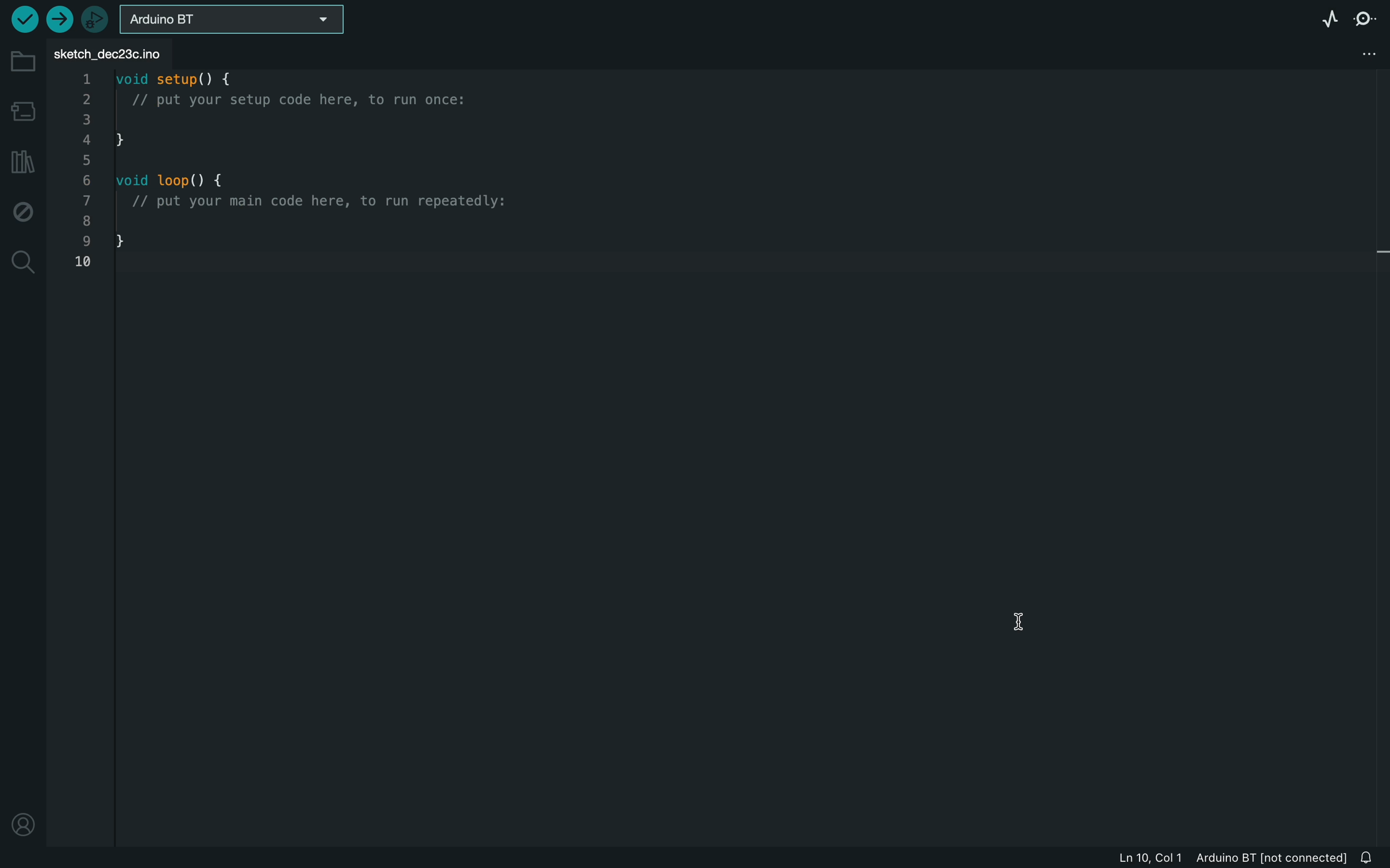 The image size is (1390, 868). Describe the element at coordinates (24, 820) in the screenshot. I see `profile` at that location.